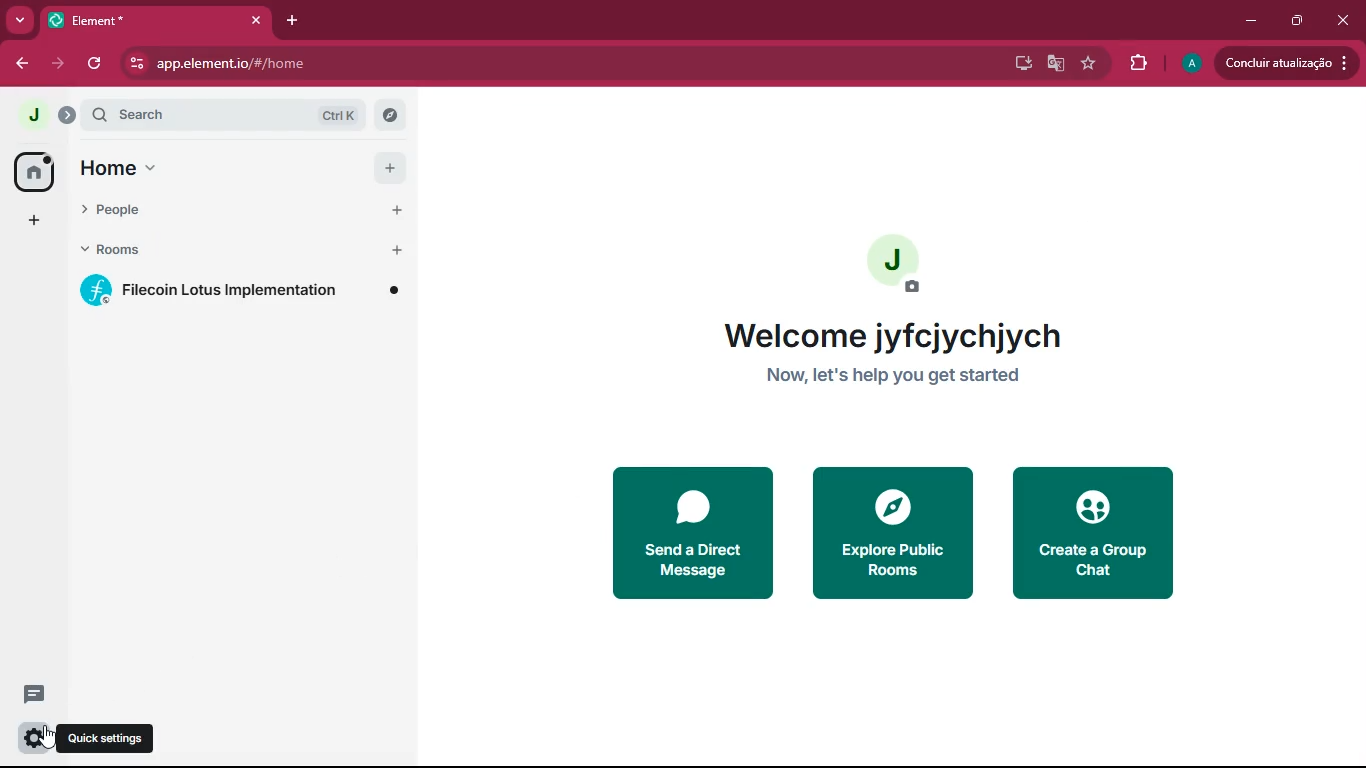 The height and width of the screenshot is (768, 1366). Describe the element at coordinates (1098, 539) in the screenshot. I see `create a group chat` at that location.